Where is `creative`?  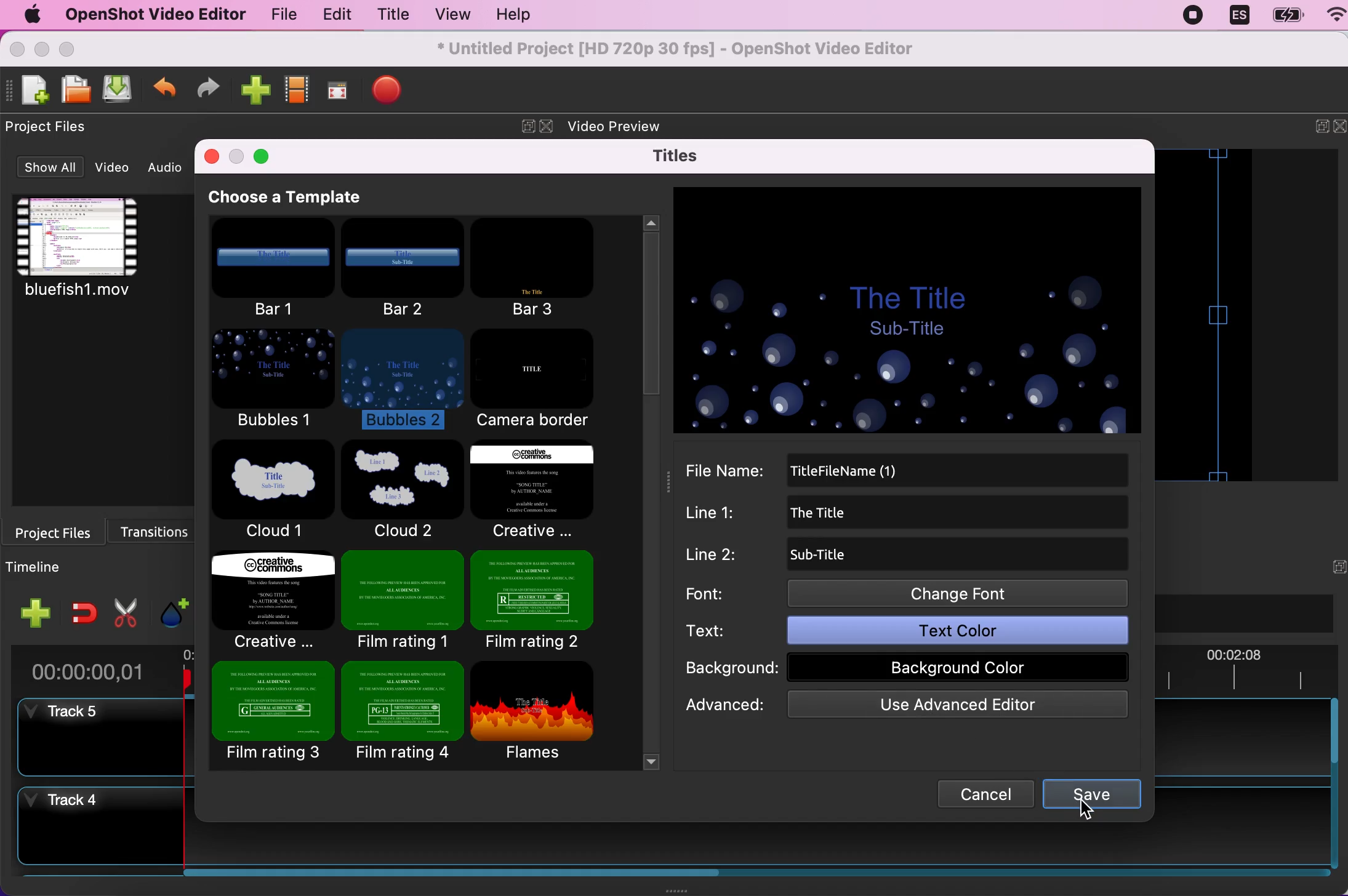
creative is located at coordinates (531, 491).